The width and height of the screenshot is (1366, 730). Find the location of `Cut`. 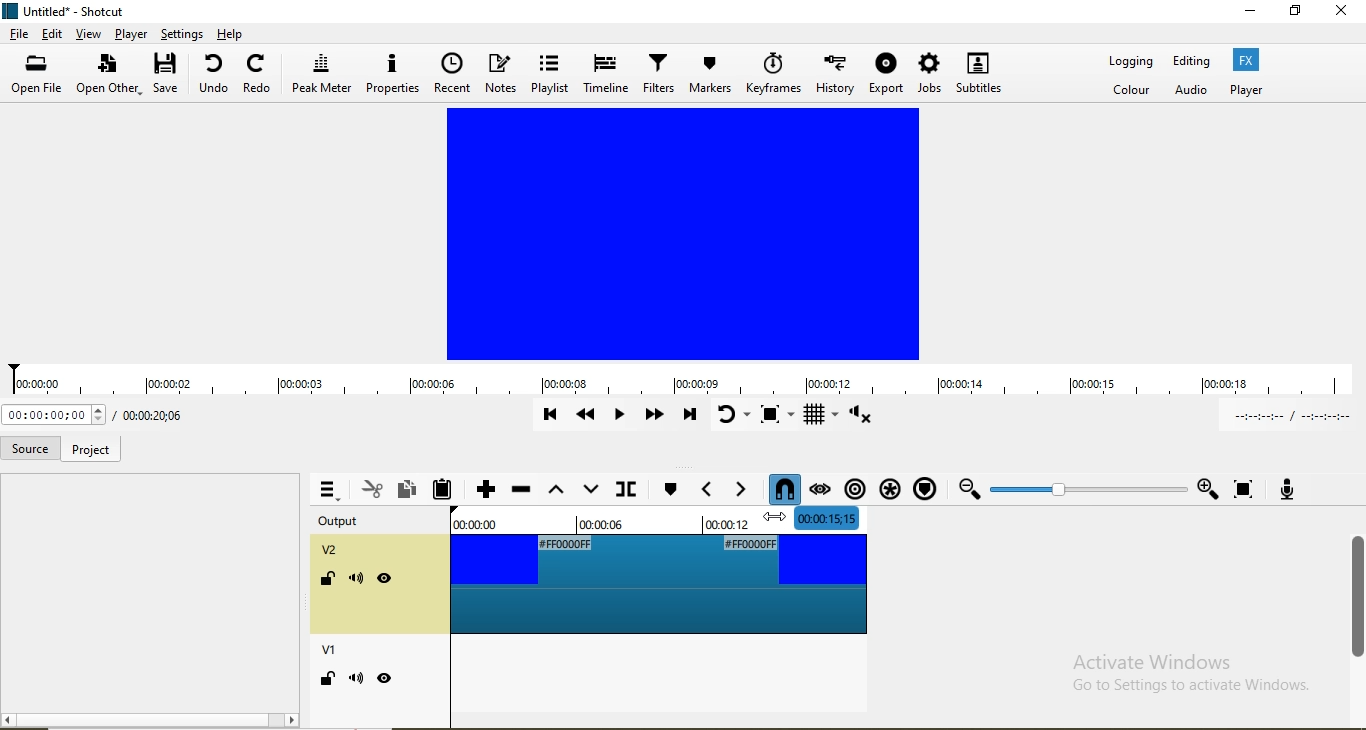

Cut is located at coordinates (372, 488).